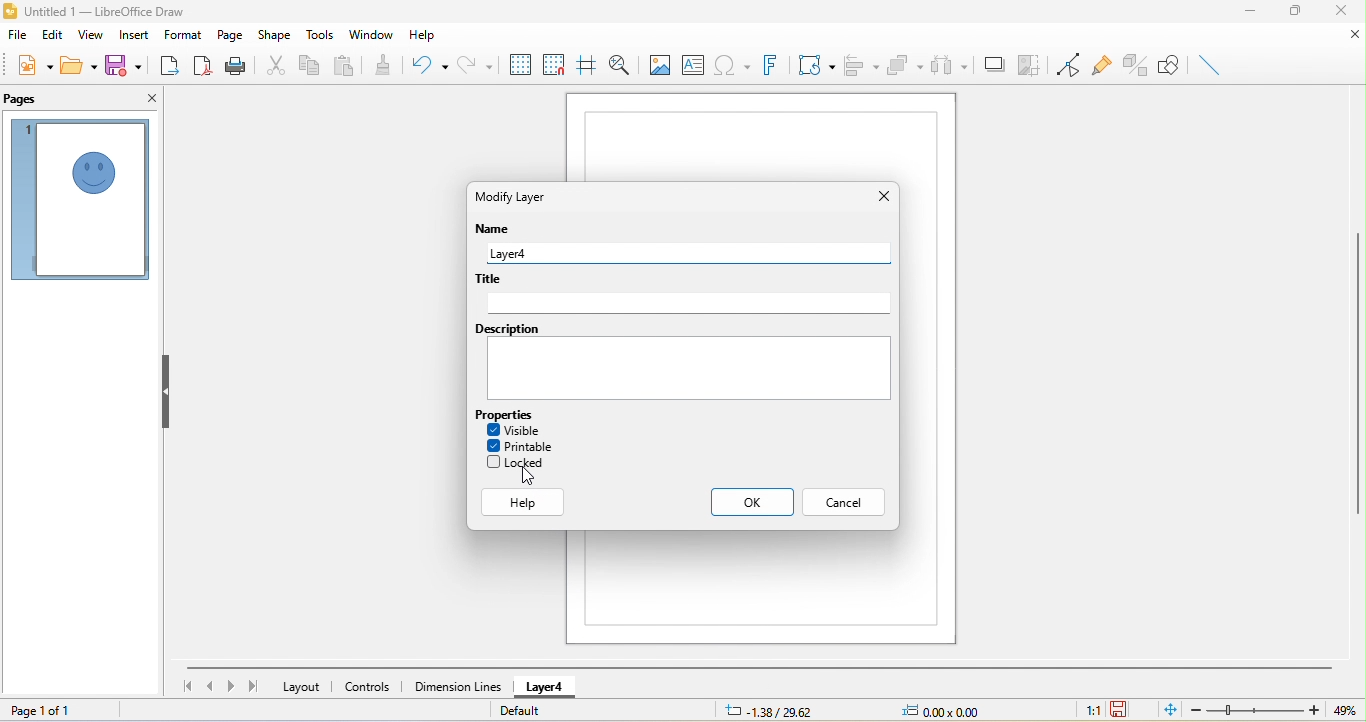  What do you see at coordinates (906, 65) in the screenshot?
I see `arrange` at bounding box center [906, 65].